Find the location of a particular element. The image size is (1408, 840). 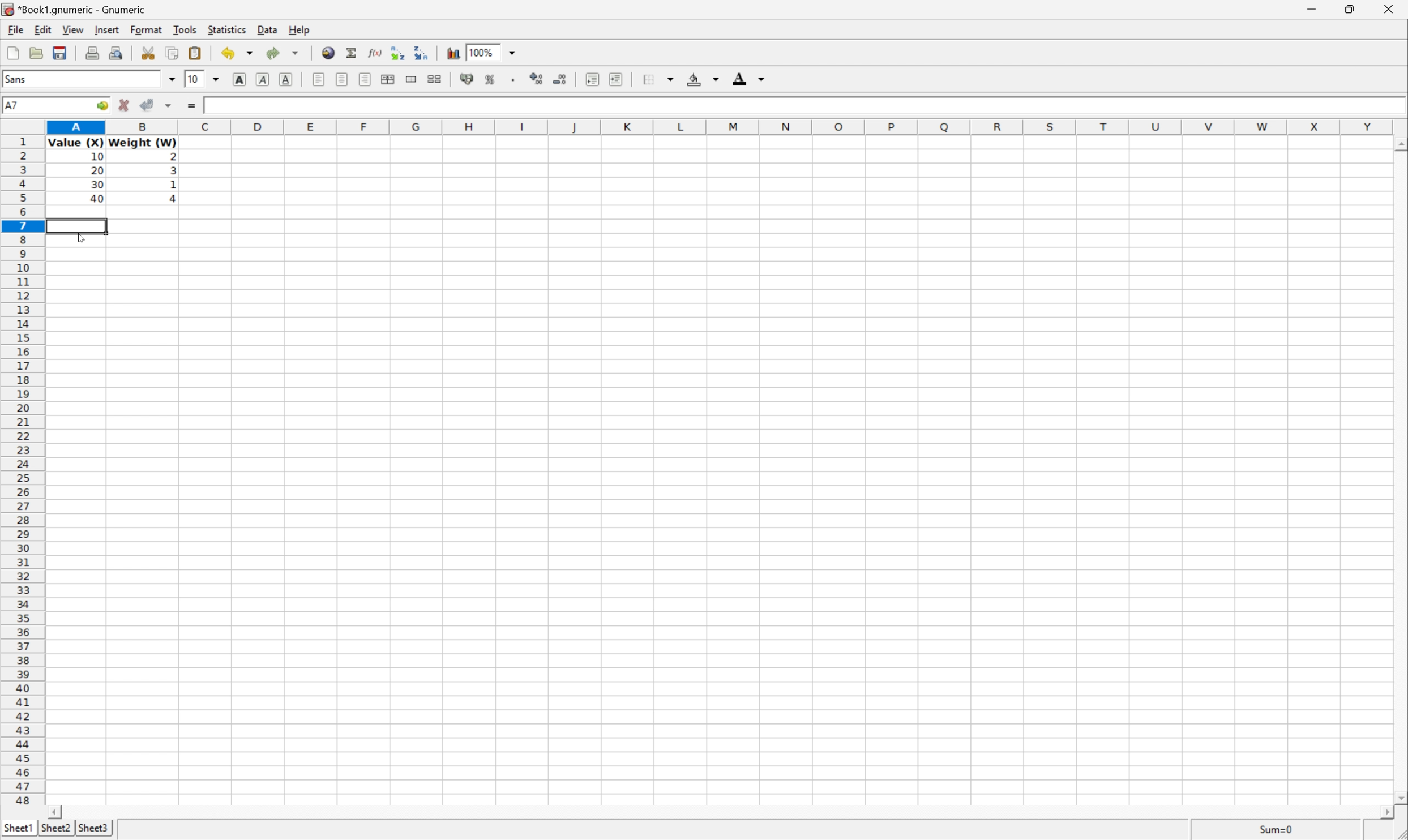

Center horizontally across the selection is located at coordinates (389, 78).